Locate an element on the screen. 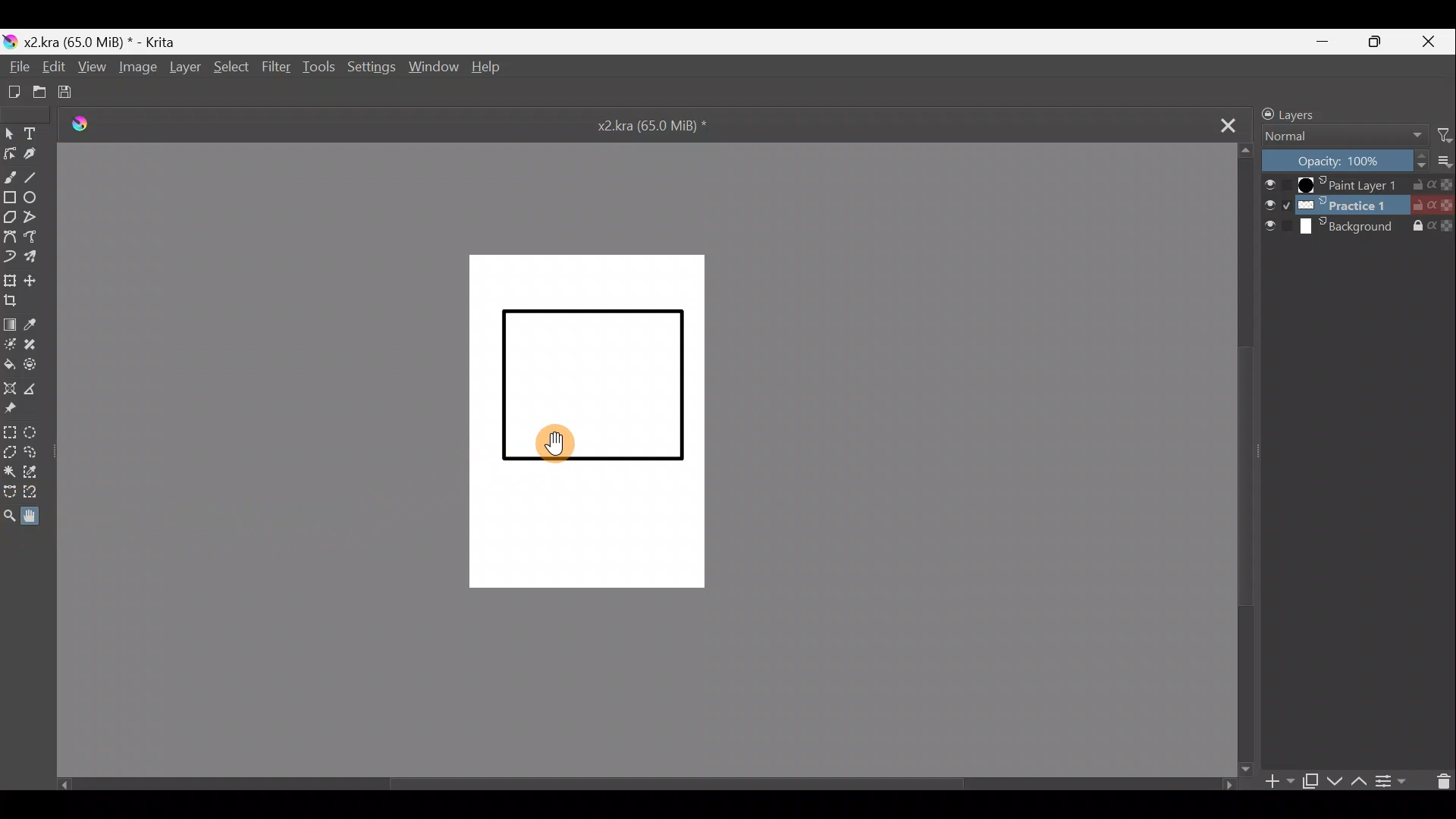 The height and width of the screenshot is (819, 1456). Logo is located at coordinates (80, 125).